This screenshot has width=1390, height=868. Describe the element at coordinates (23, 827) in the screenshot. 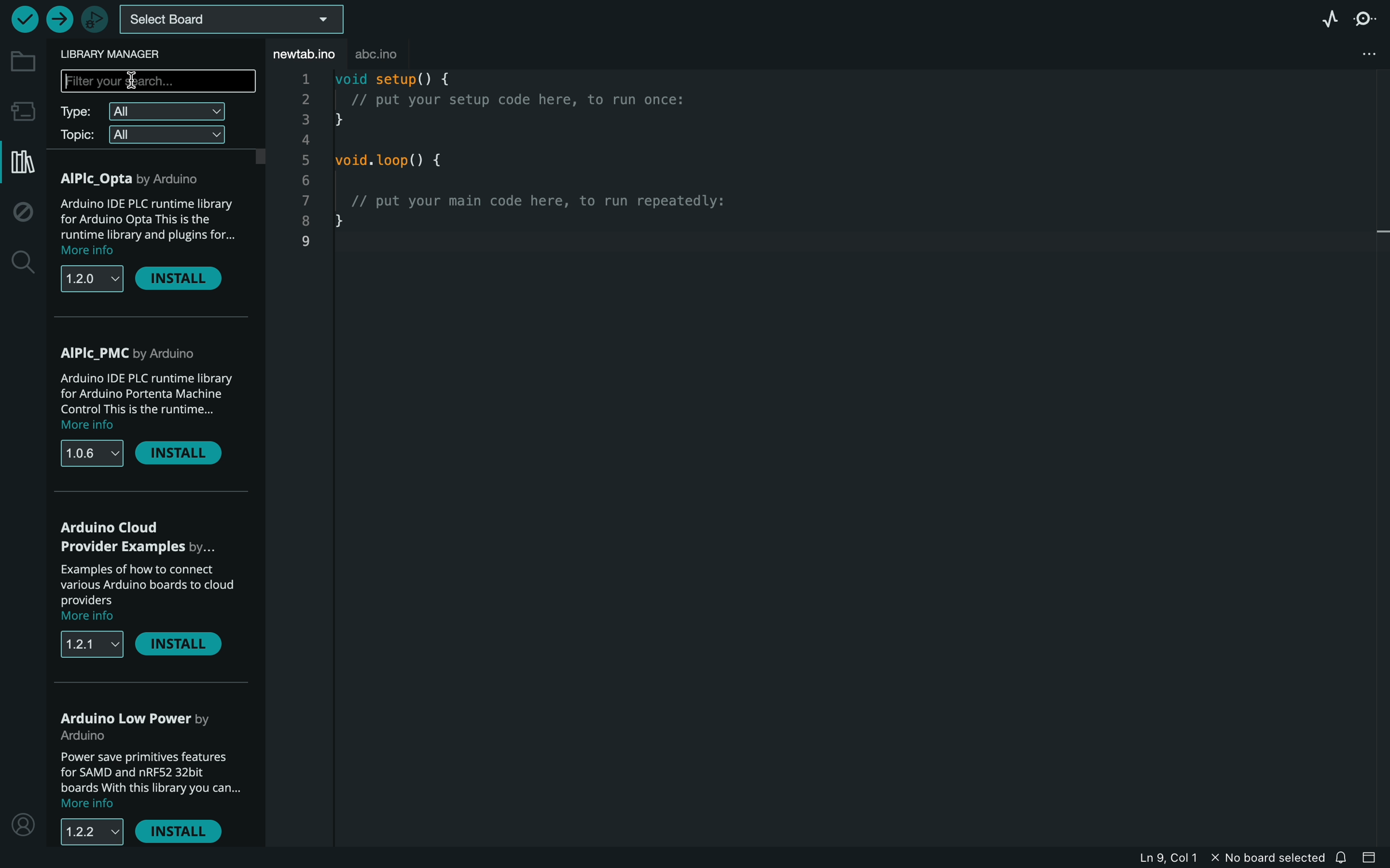

I see `profile` at that location.